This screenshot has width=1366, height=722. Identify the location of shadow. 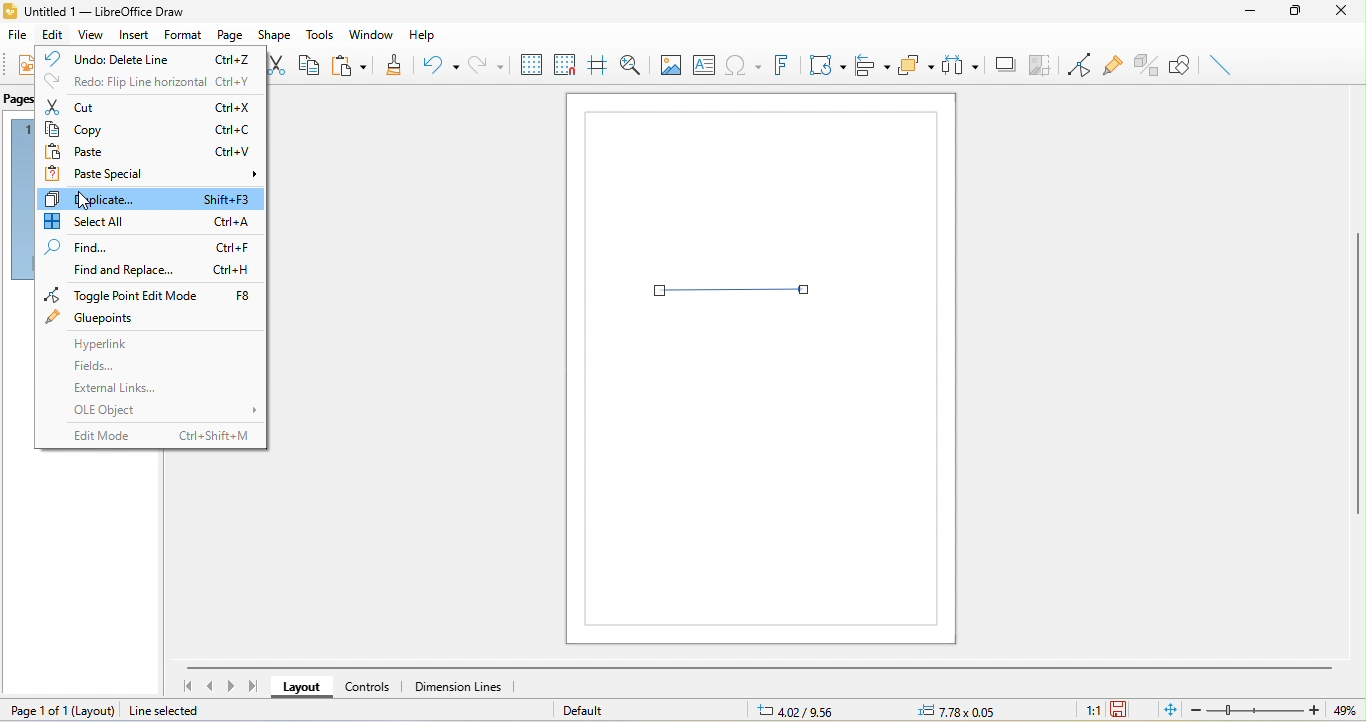
(1006, 65).